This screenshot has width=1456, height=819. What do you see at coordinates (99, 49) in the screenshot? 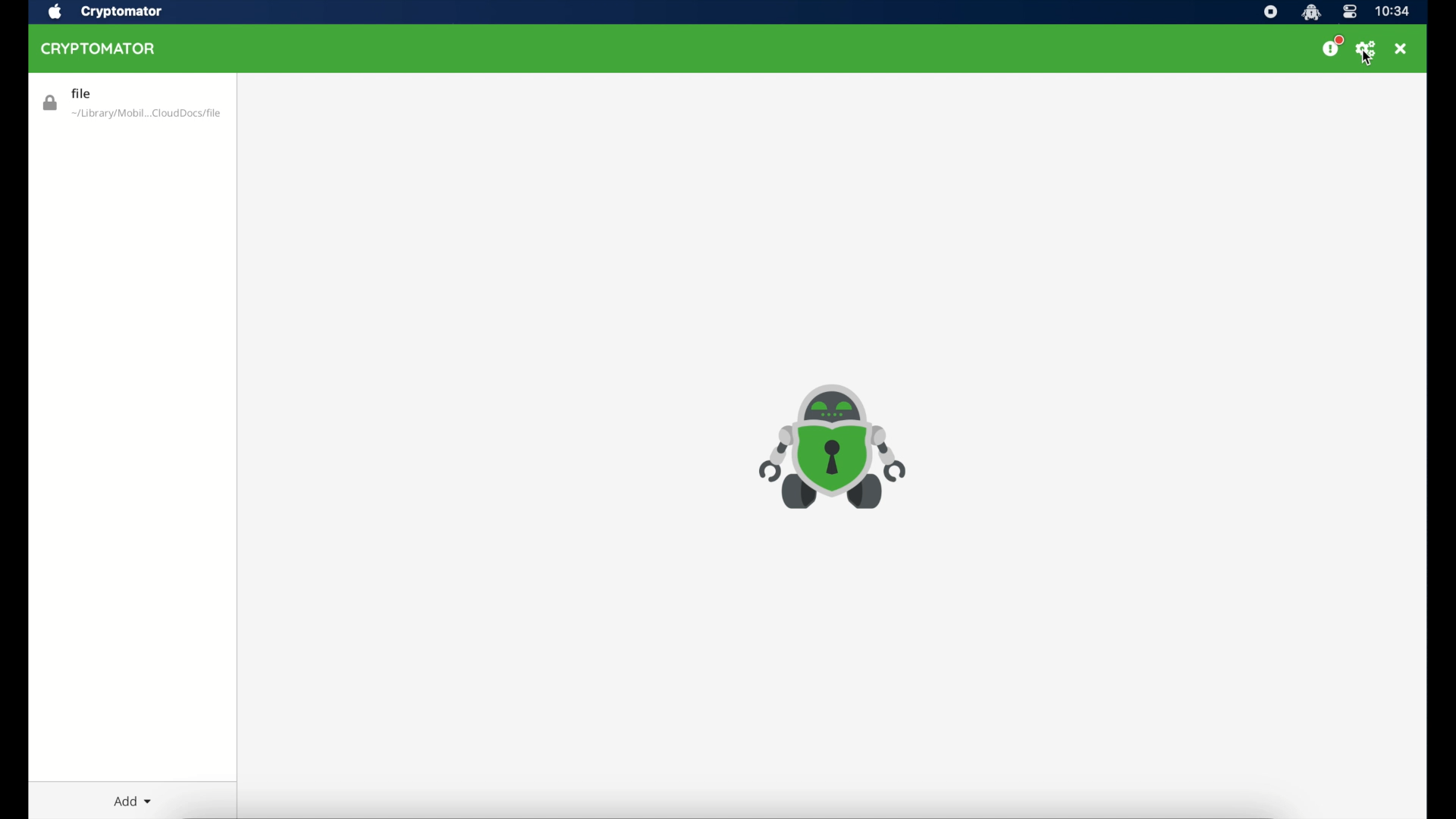
I see `cryptomator` at bounding box center [99, 49].